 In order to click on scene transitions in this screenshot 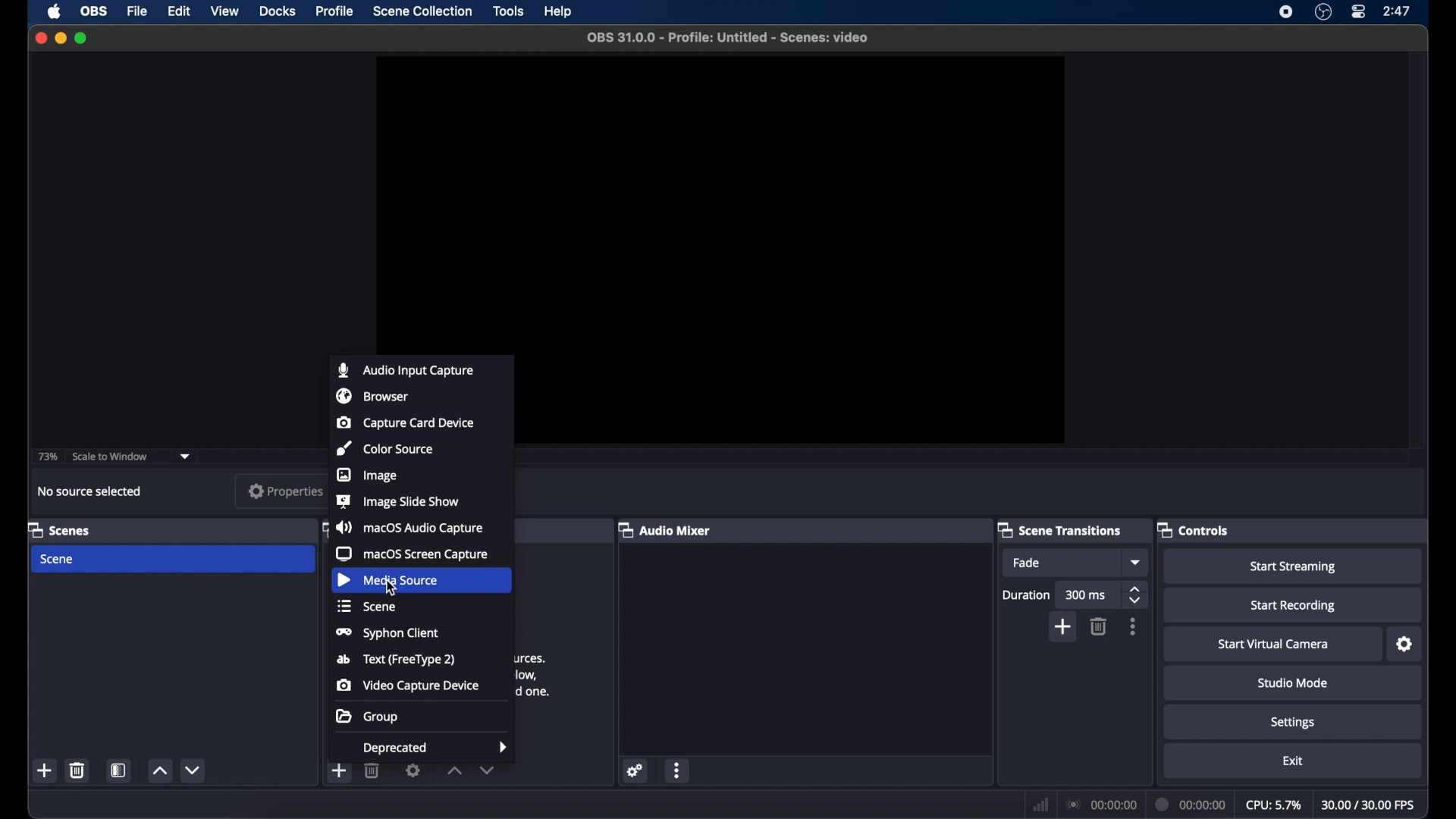, I will do `click(1059, 529)`.